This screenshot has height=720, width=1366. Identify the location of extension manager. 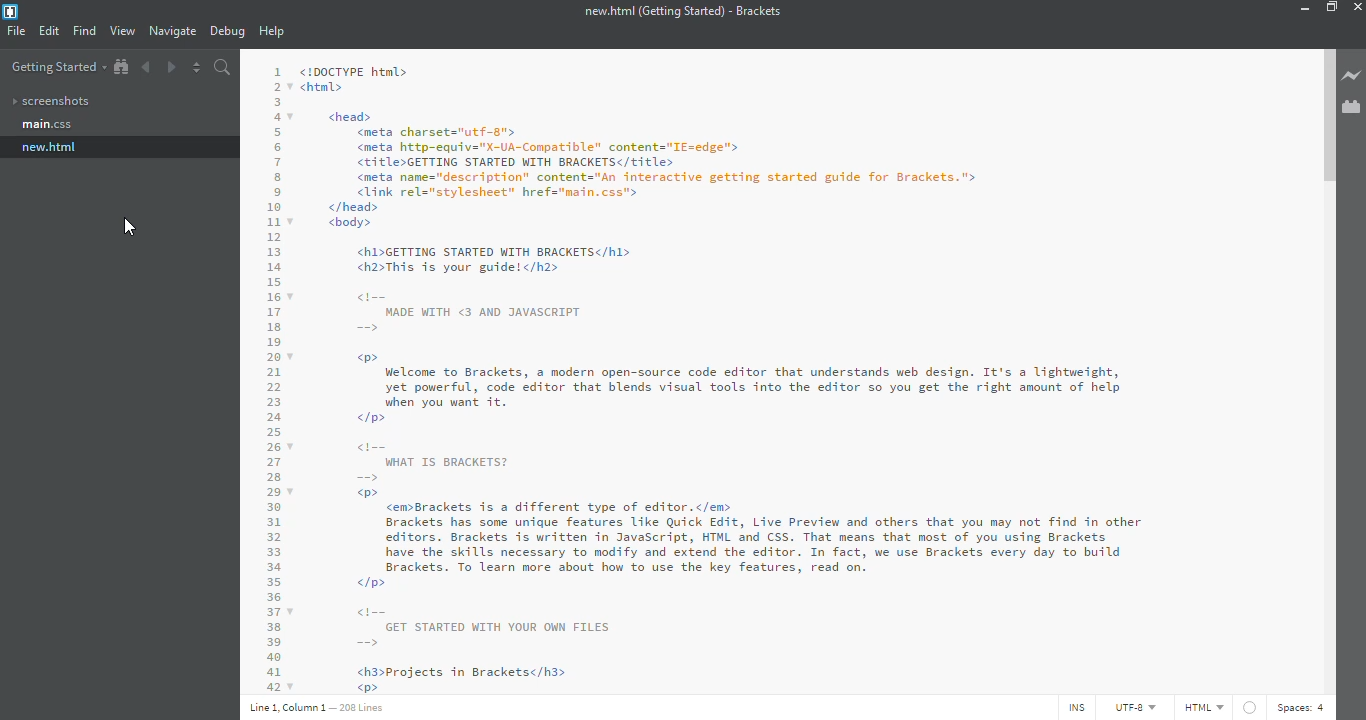
(1352, 107).